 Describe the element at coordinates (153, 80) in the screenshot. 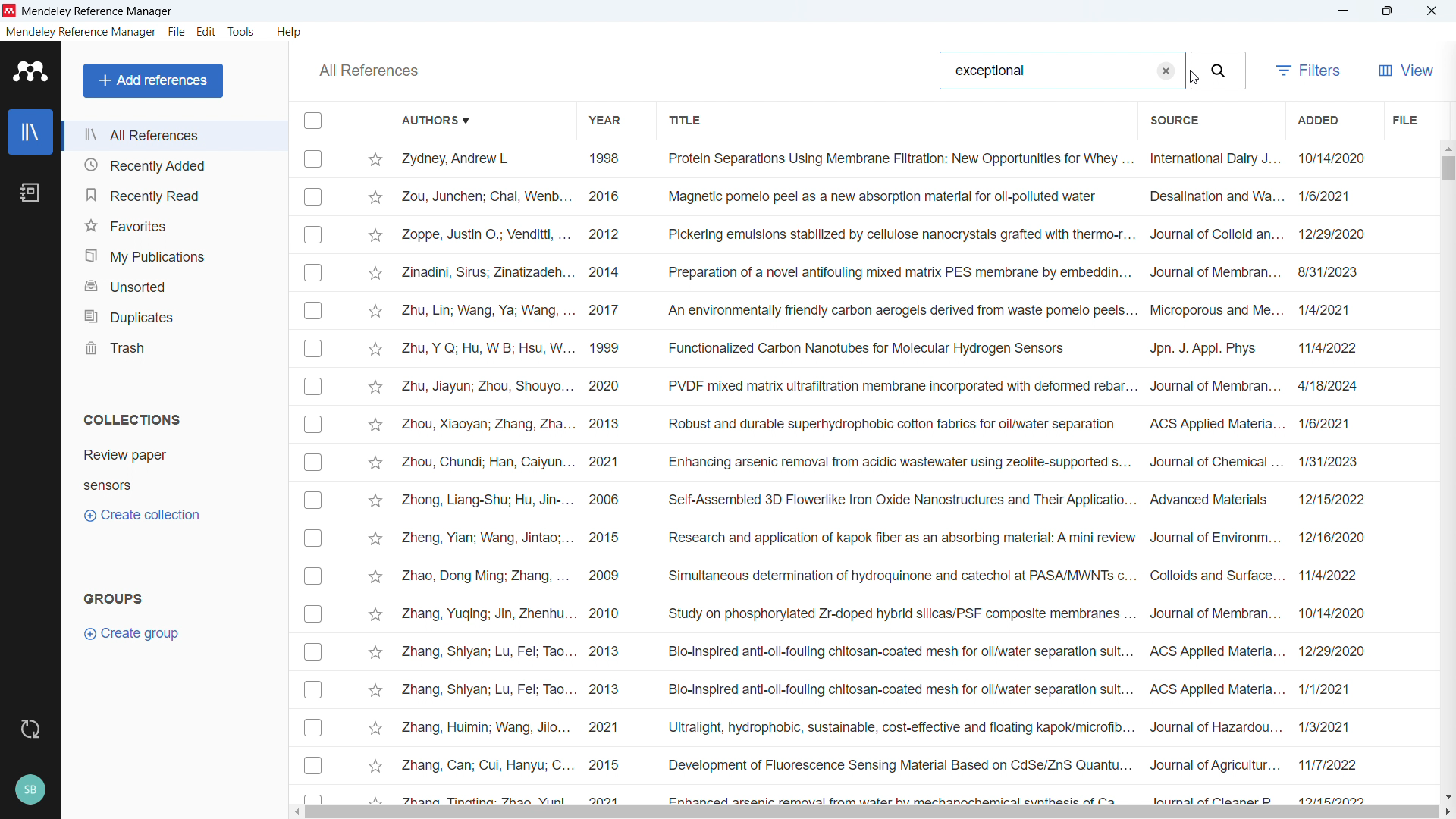

I see `add references` at that location.